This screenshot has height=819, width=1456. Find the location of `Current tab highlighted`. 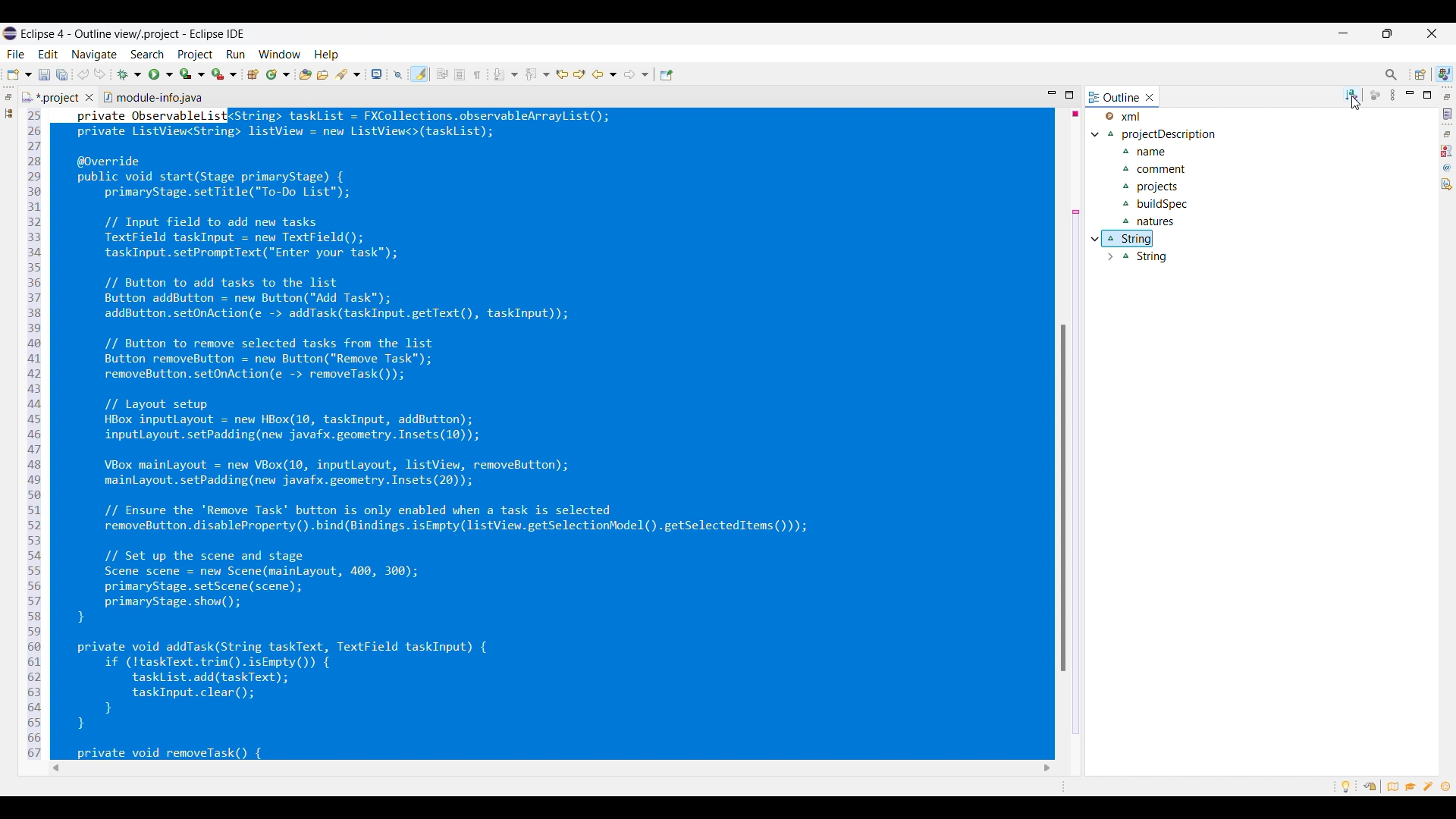

Current tab highlighted is located at coordinates (1114, 96).